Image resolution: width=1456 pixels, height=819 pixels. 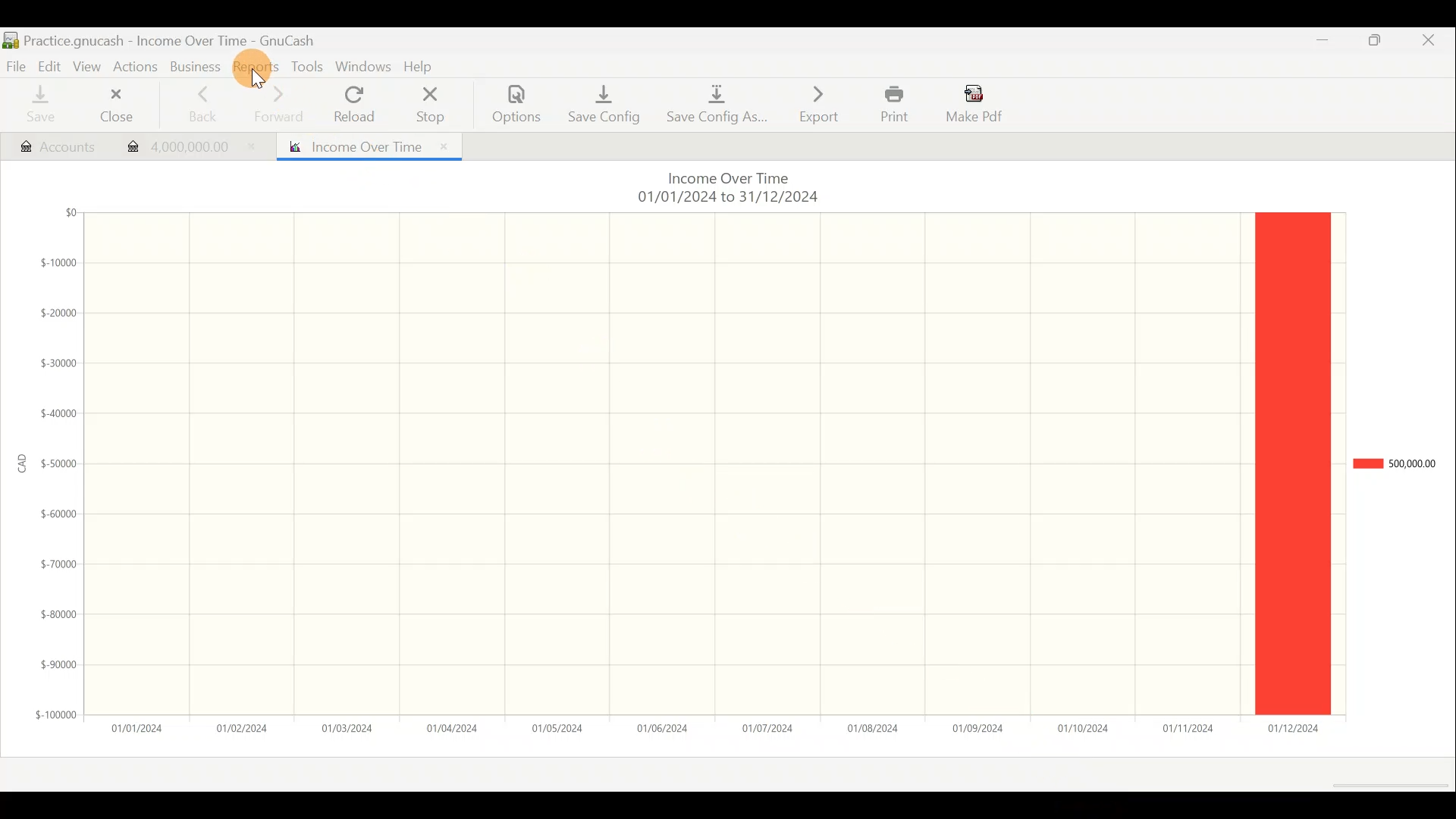 I want to click on Print, so click(x=890, y=104).